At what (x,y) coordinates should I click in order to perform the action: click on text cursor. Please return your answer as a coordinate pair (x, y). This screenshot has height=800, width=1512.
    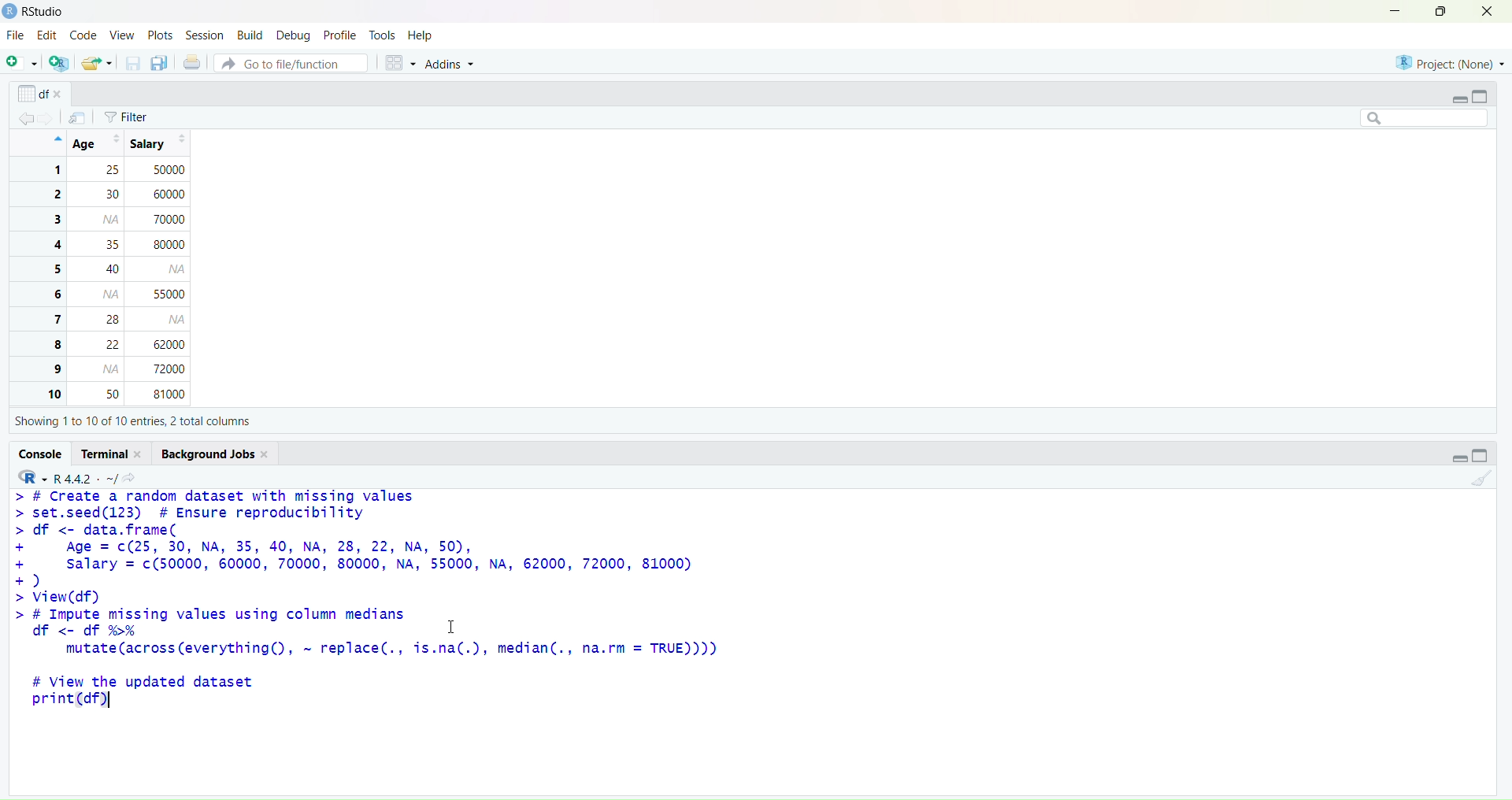
    Looking at the image, I should click on (112, 702).